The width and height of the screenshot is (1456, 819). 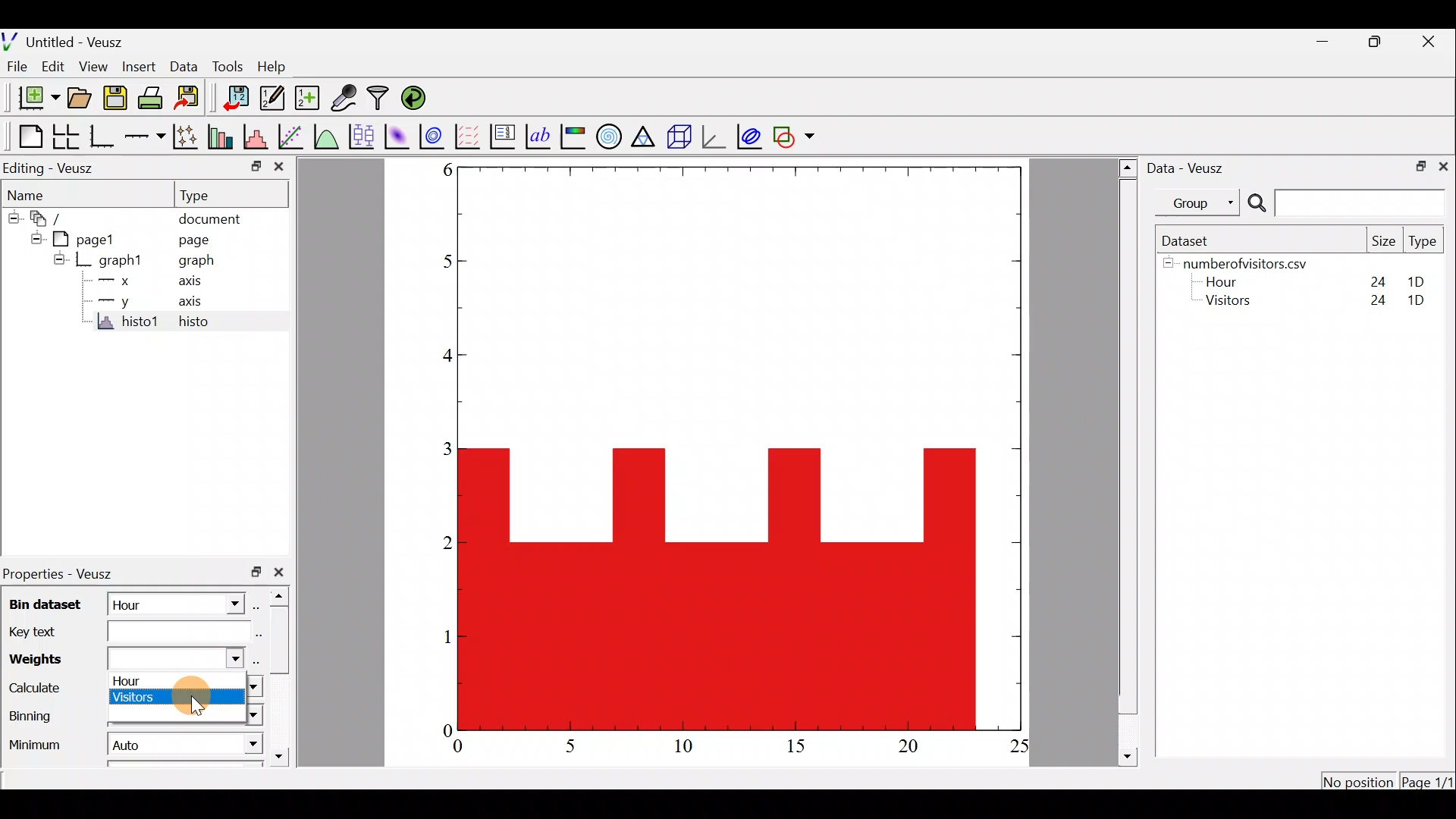 What do you see at coordinates (438, 543) in the screenshot?
I see `2` at bounding box center [438, 543].